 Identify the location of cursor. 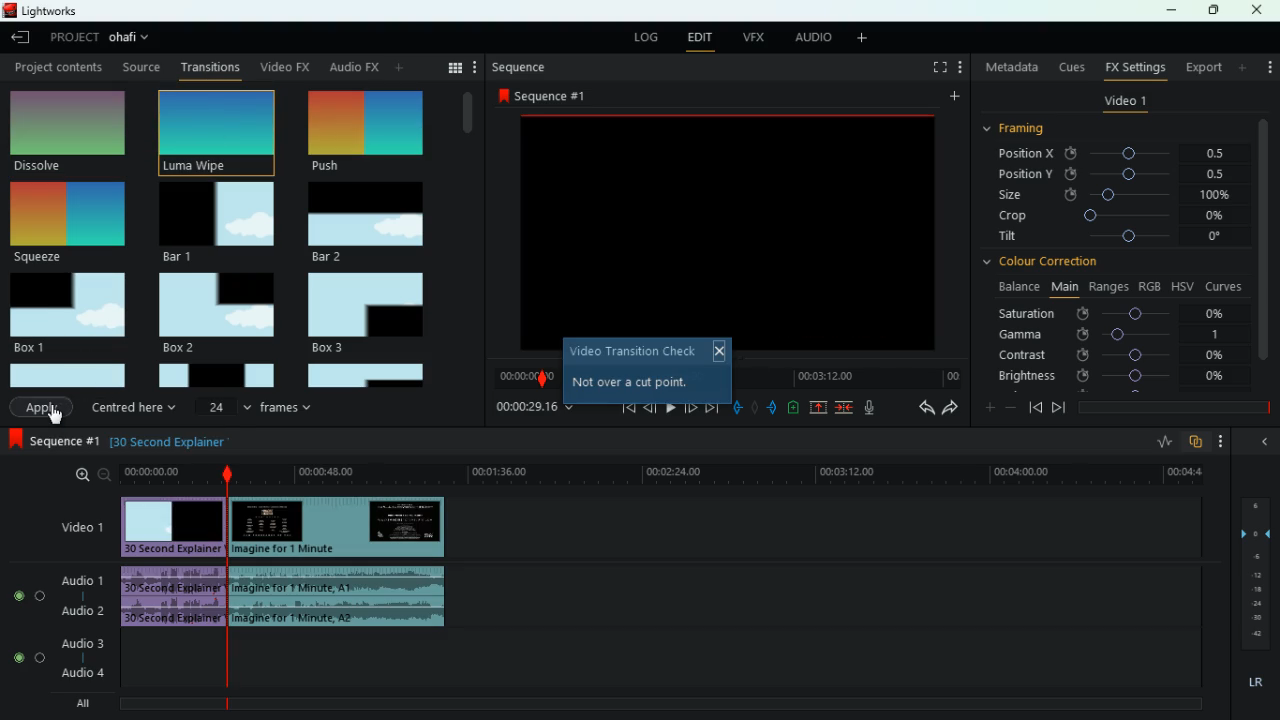
(55, 416).